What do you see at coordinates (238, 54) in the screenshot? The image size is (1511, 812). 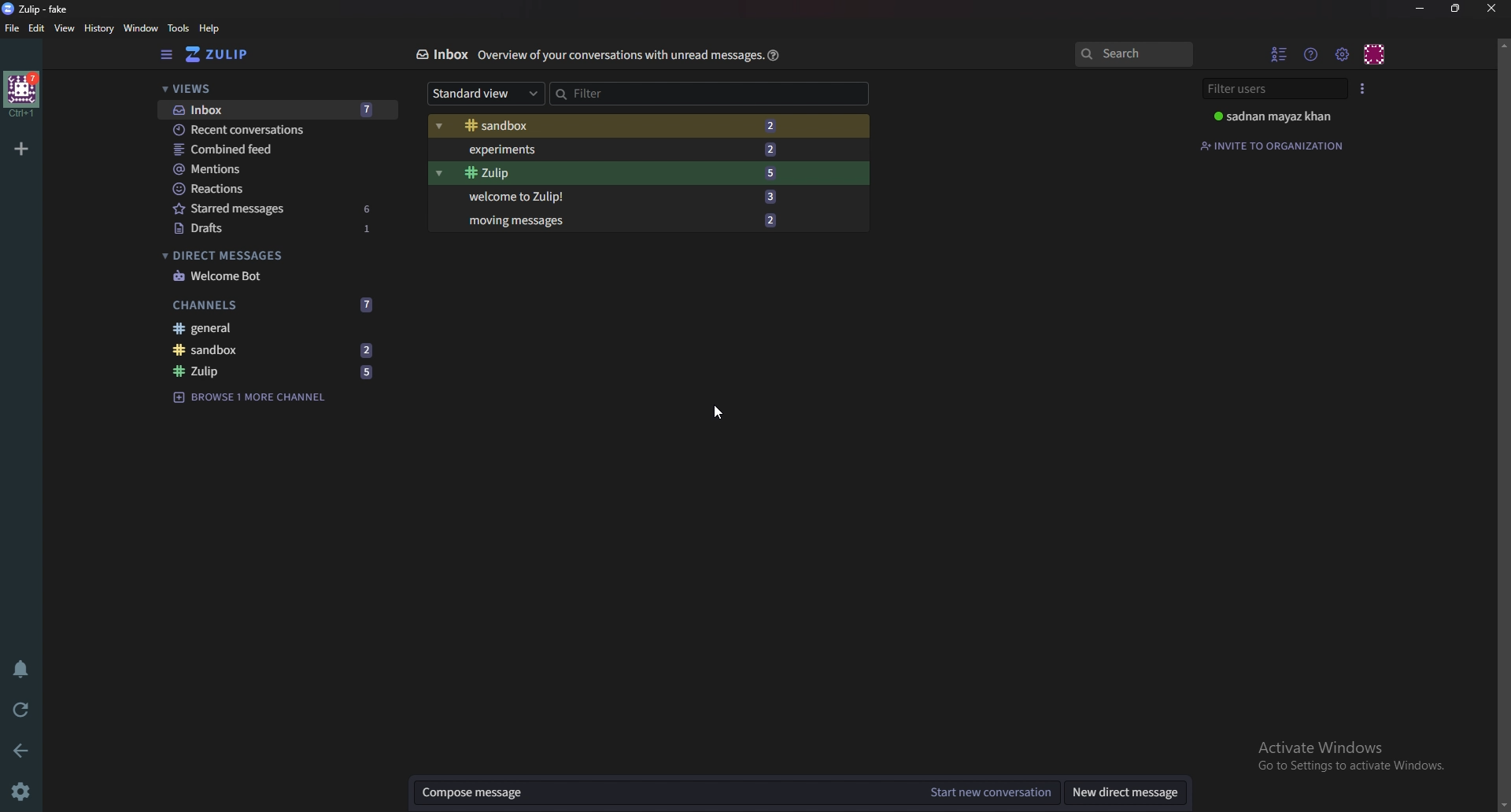 I see `zulip` at bounding box center [238, 54].